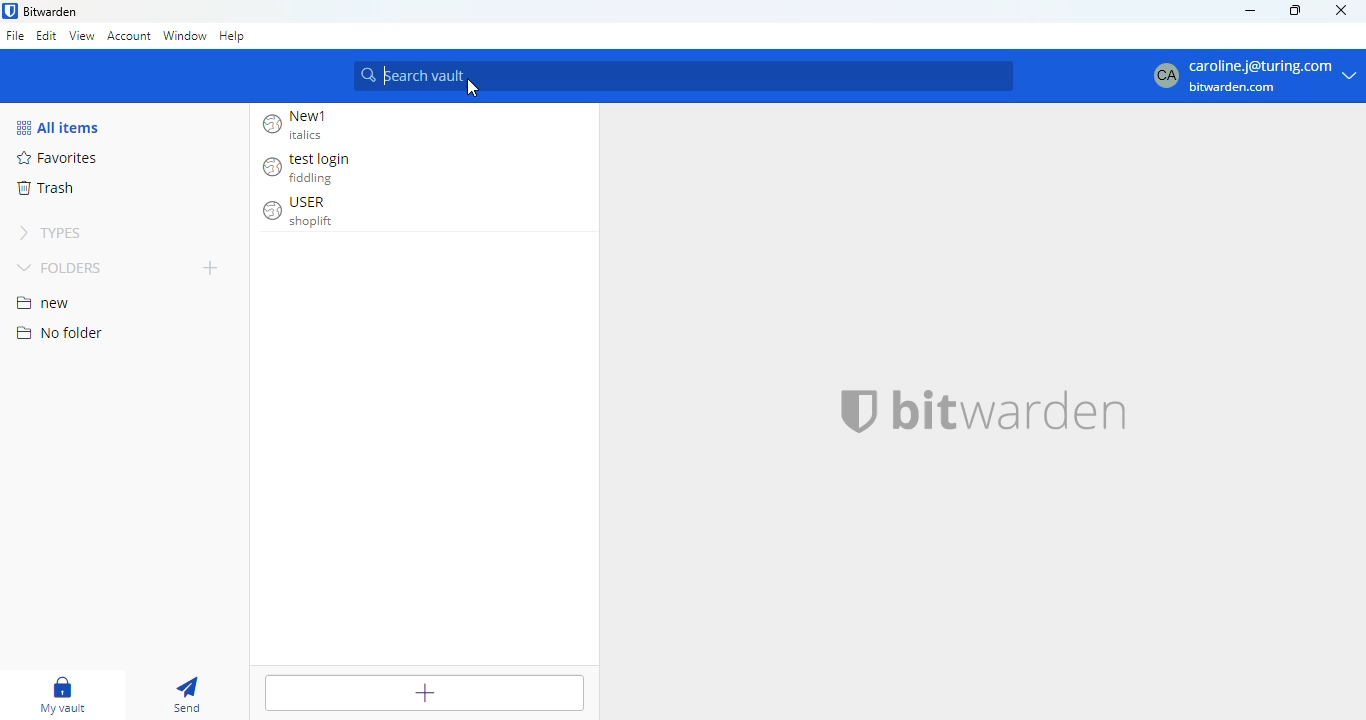  I want to click on no folder, so click(60, 332).